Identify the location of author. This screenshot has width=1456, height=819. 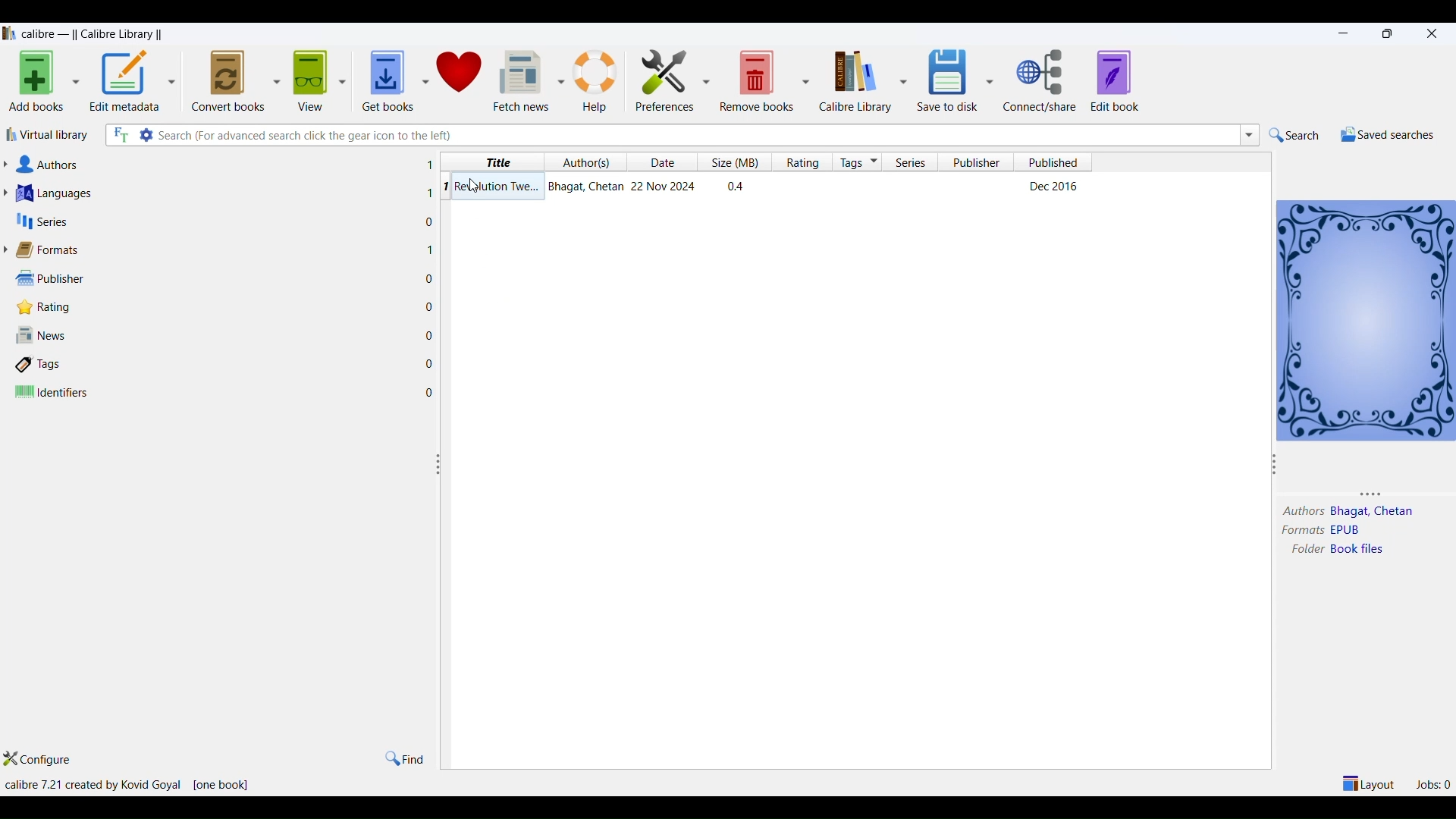
(1300, 510).